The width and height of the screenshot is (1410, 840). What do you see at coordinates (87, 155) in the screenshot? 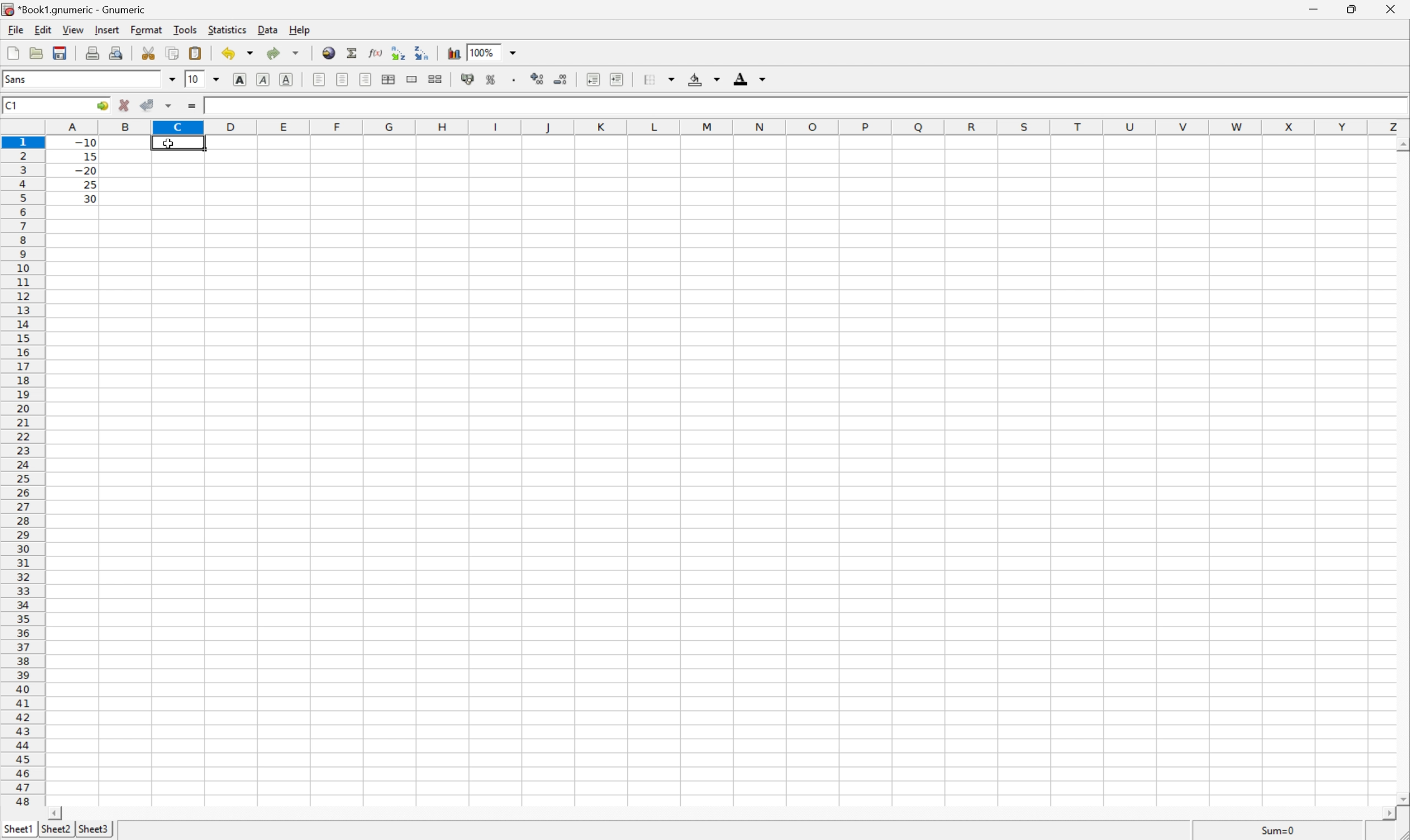
I see `15` at bounding box center [87, 155].